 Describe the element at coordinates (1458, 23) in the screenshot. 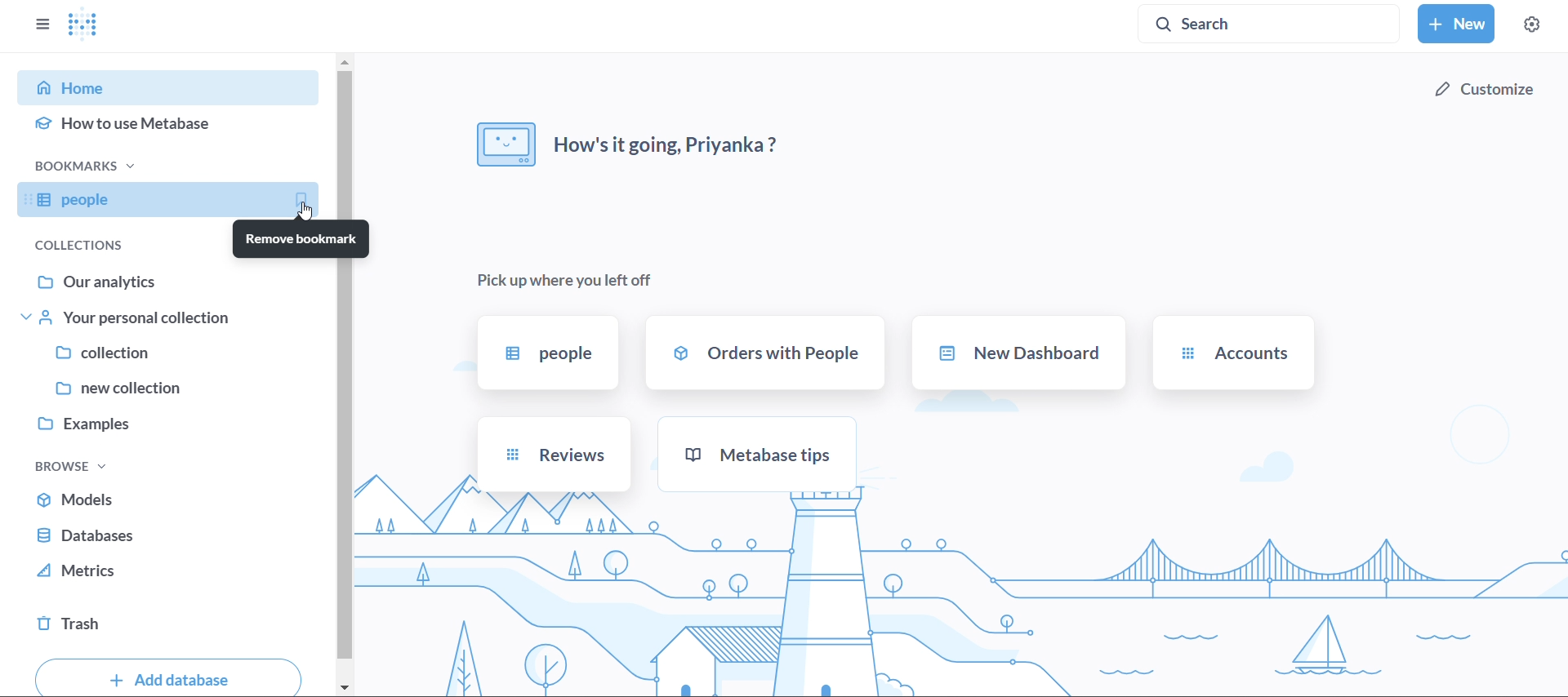

I see `new` at that location.